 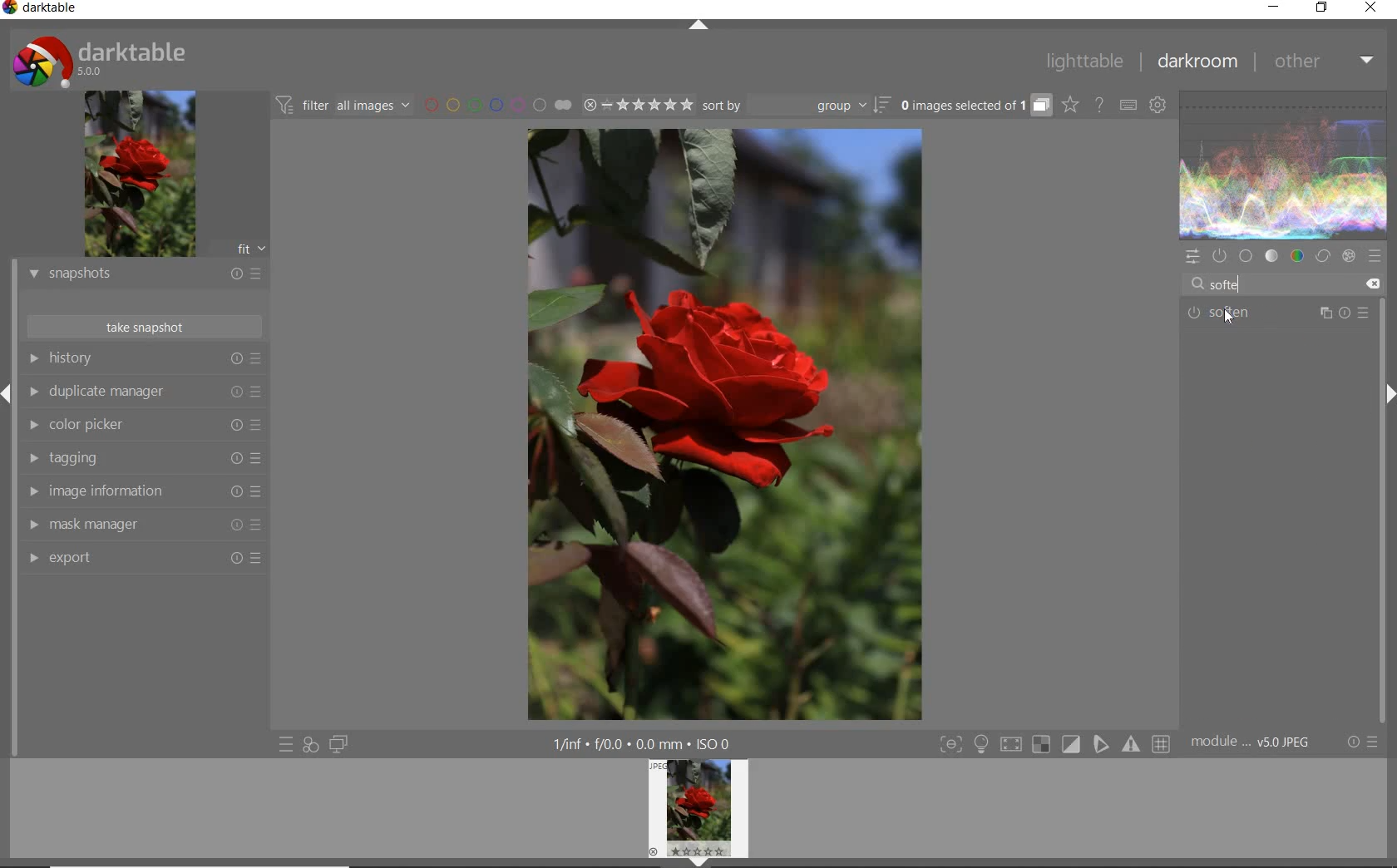 I want to click on module..v50JPEG, so click(x=1256, y=742).